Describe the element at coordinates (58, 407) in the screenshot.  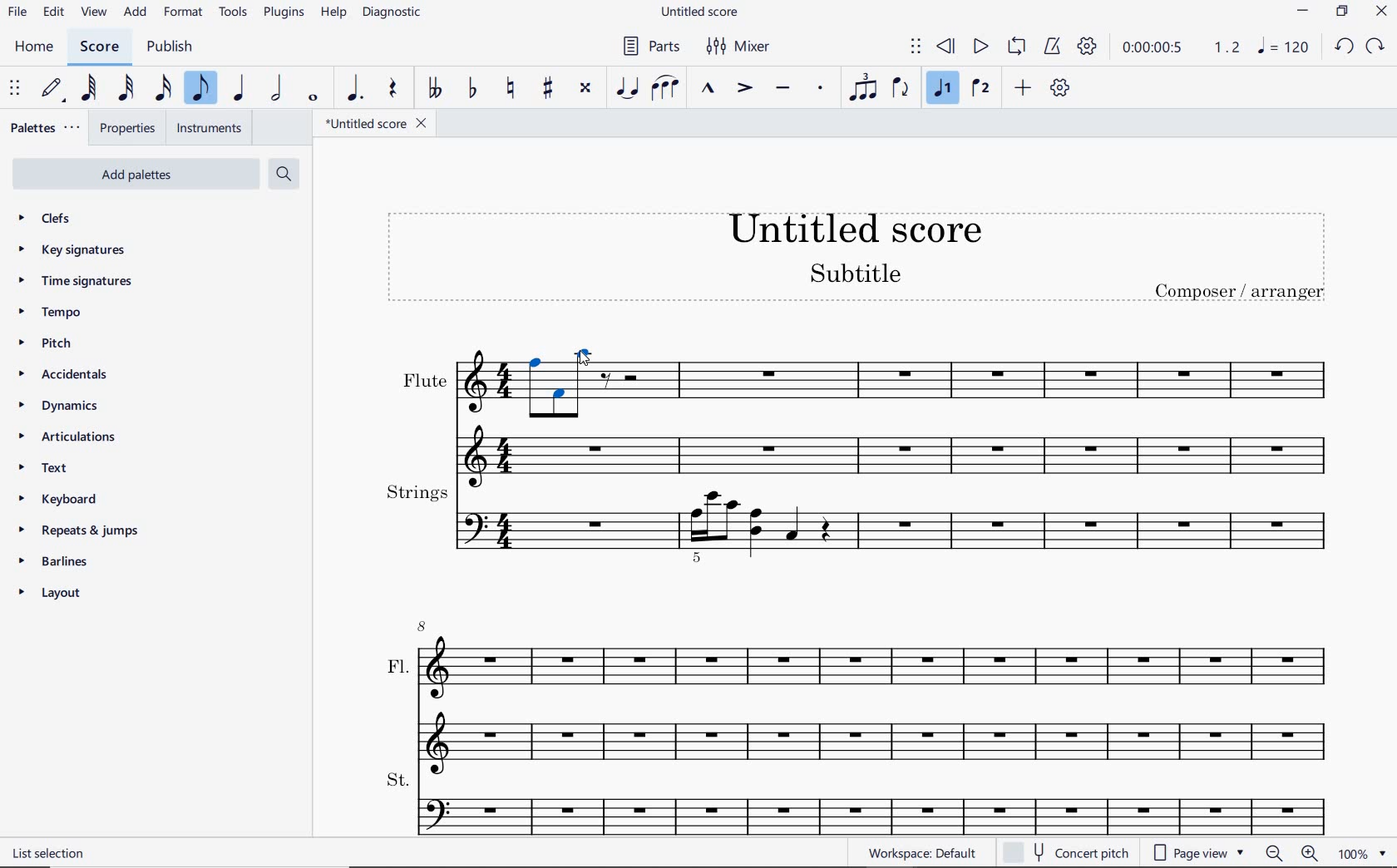
I see `dynamics` at that location.